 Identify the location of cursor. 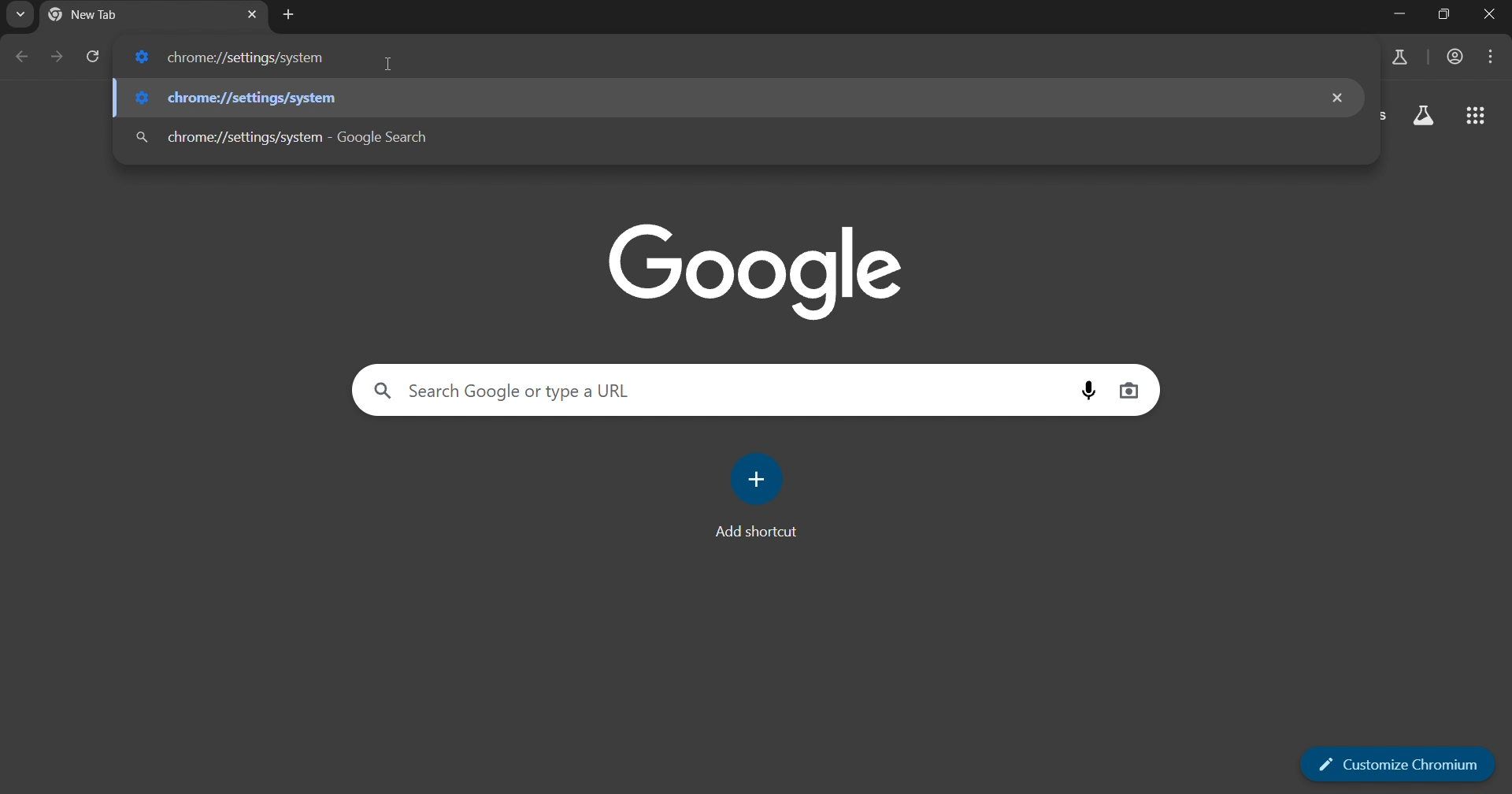
(389, 66).